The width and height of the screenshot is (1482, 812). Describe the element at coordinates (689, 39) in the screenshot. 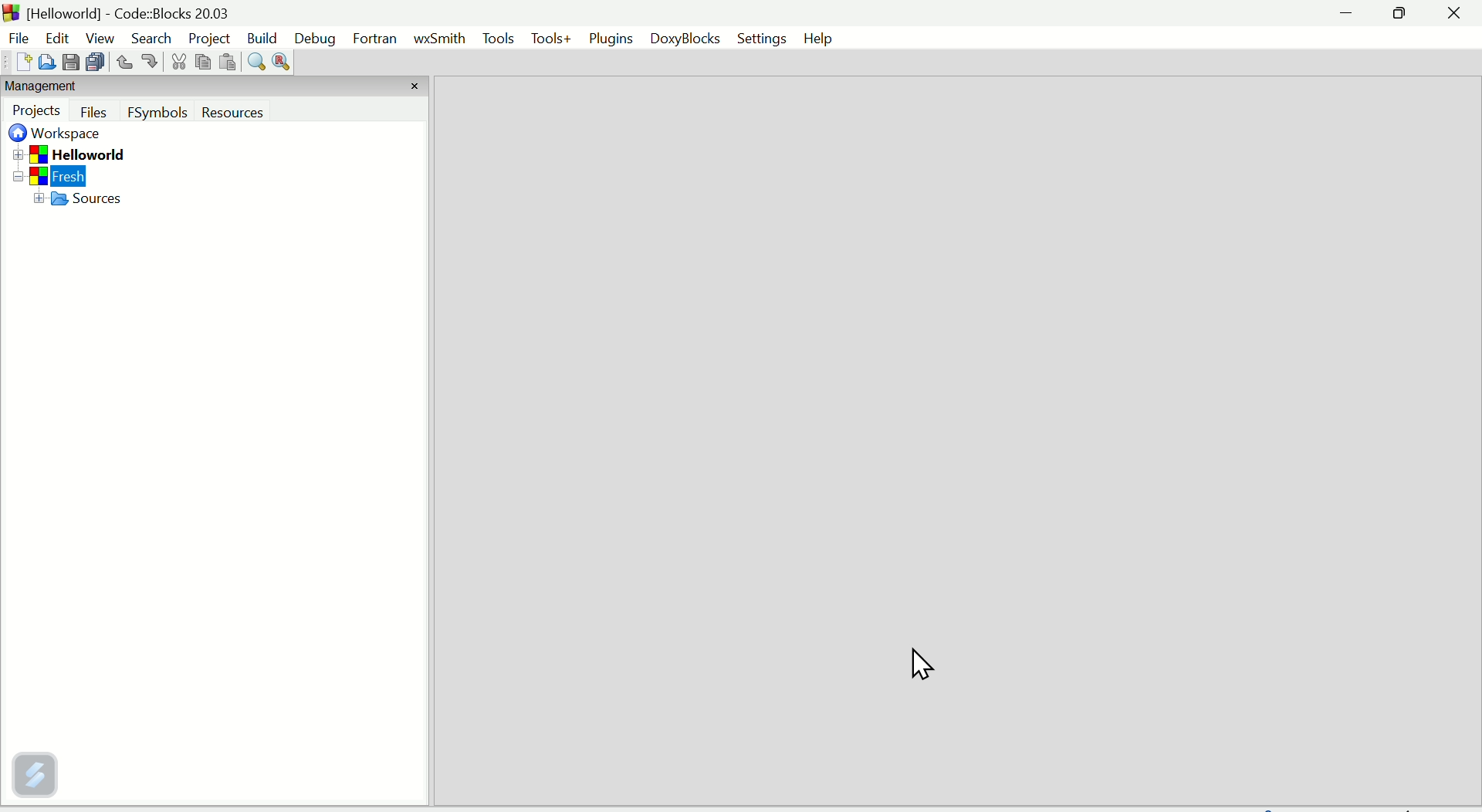

I see `Doxyblocks` at that location.